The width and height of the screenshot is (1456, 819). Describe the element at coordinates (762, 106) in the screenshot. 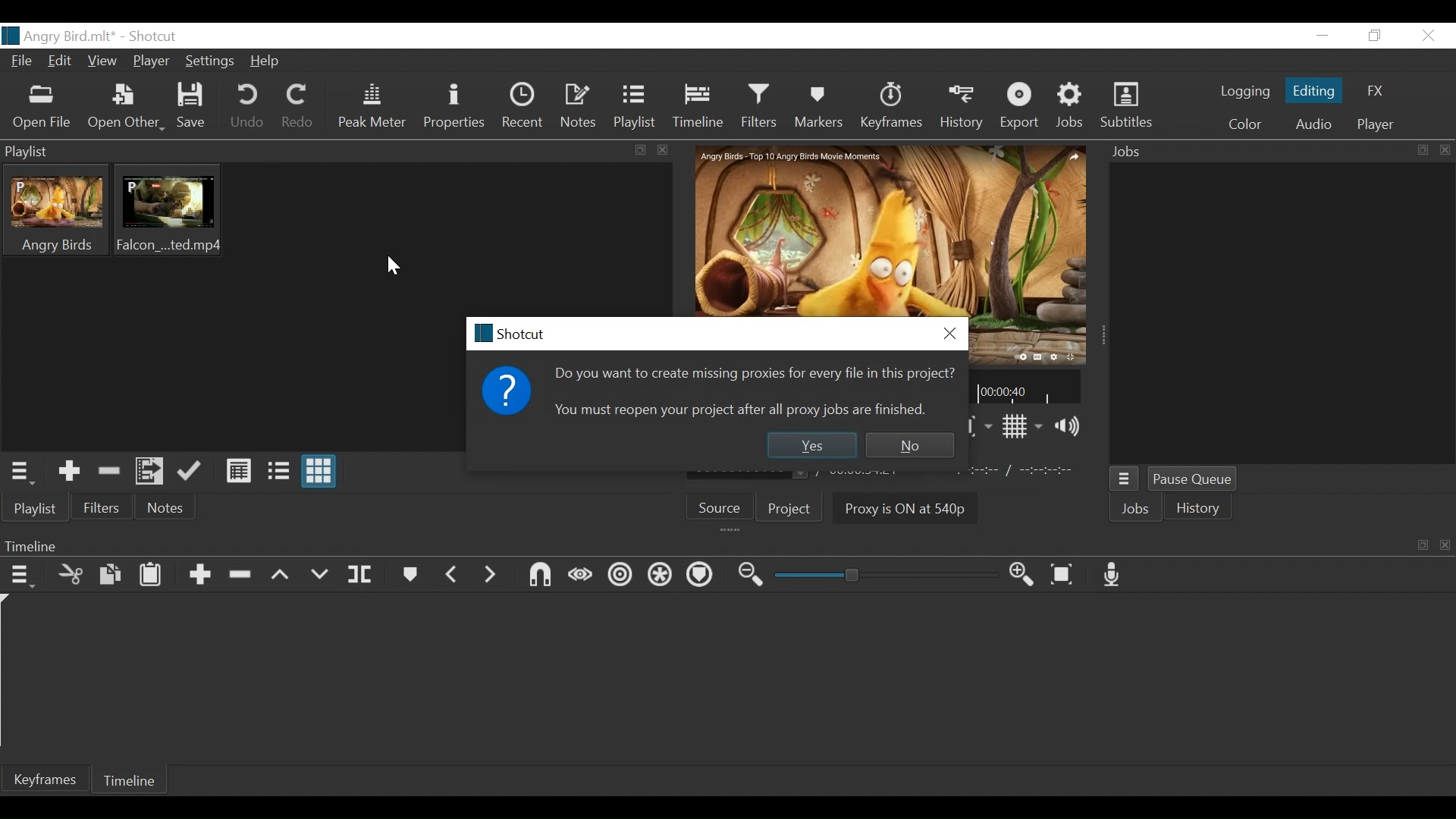

I see `Filters` at that location.